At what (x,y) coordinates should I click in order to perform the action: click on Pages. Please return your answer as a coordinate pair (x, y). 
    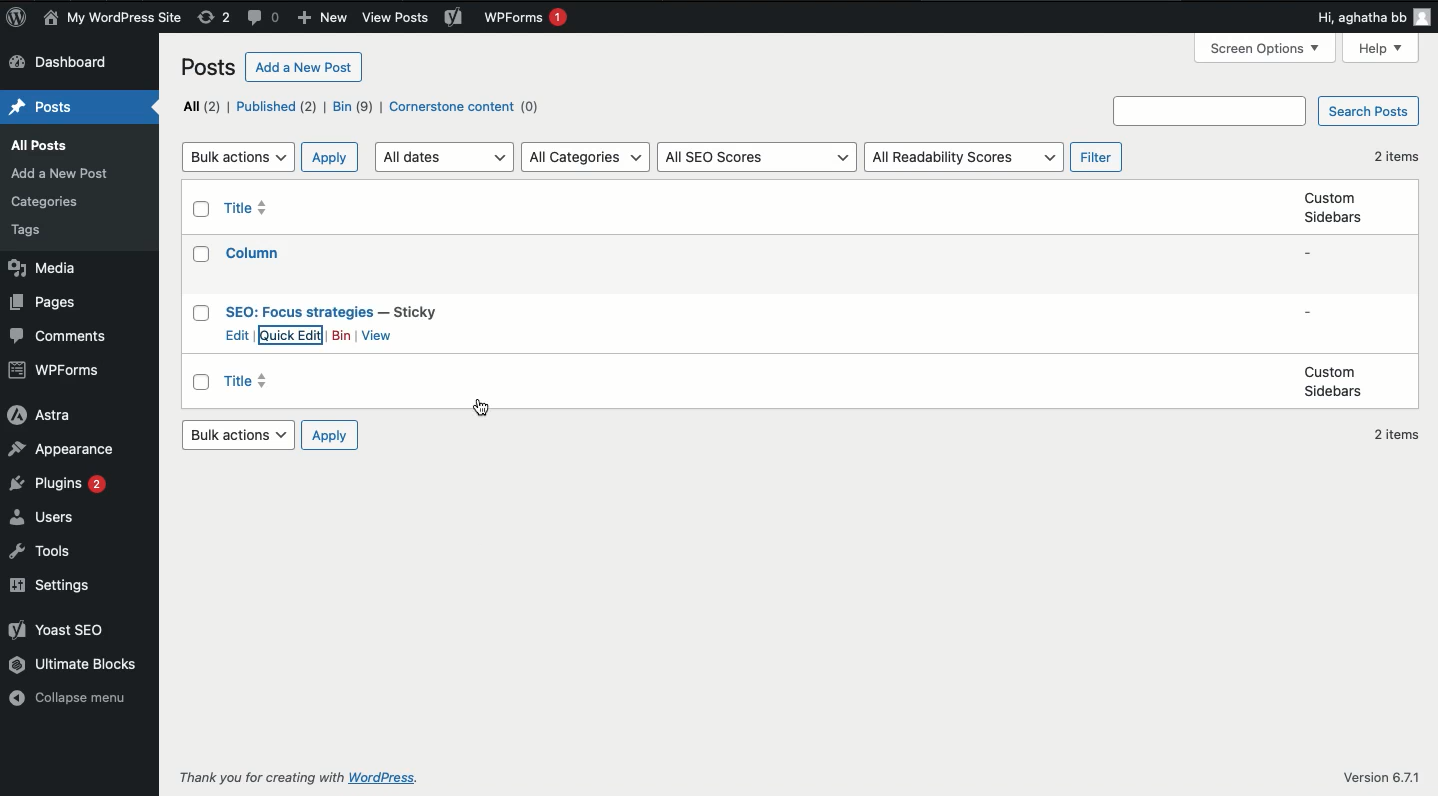
    Looking at the image, I should click on (43, 303).